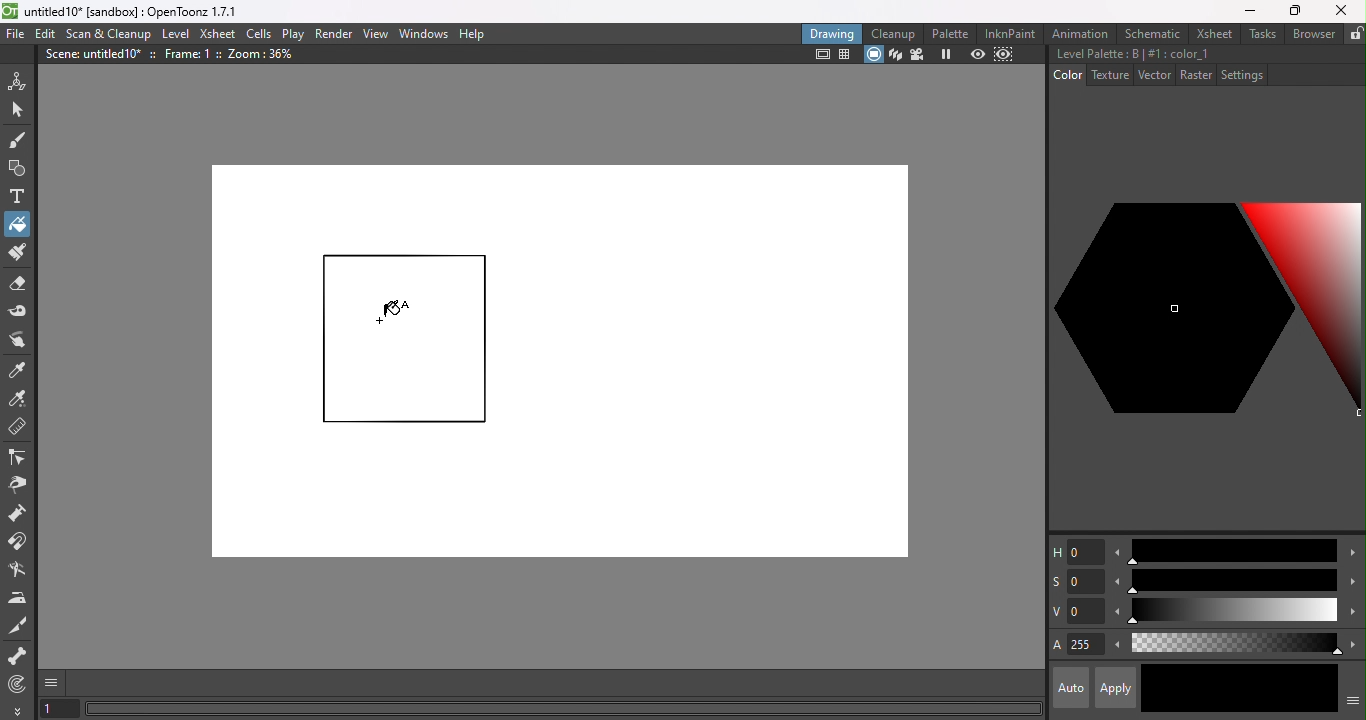 This screenshot has height=720, width=1366. I want to click on More tool, so click(18, 710).